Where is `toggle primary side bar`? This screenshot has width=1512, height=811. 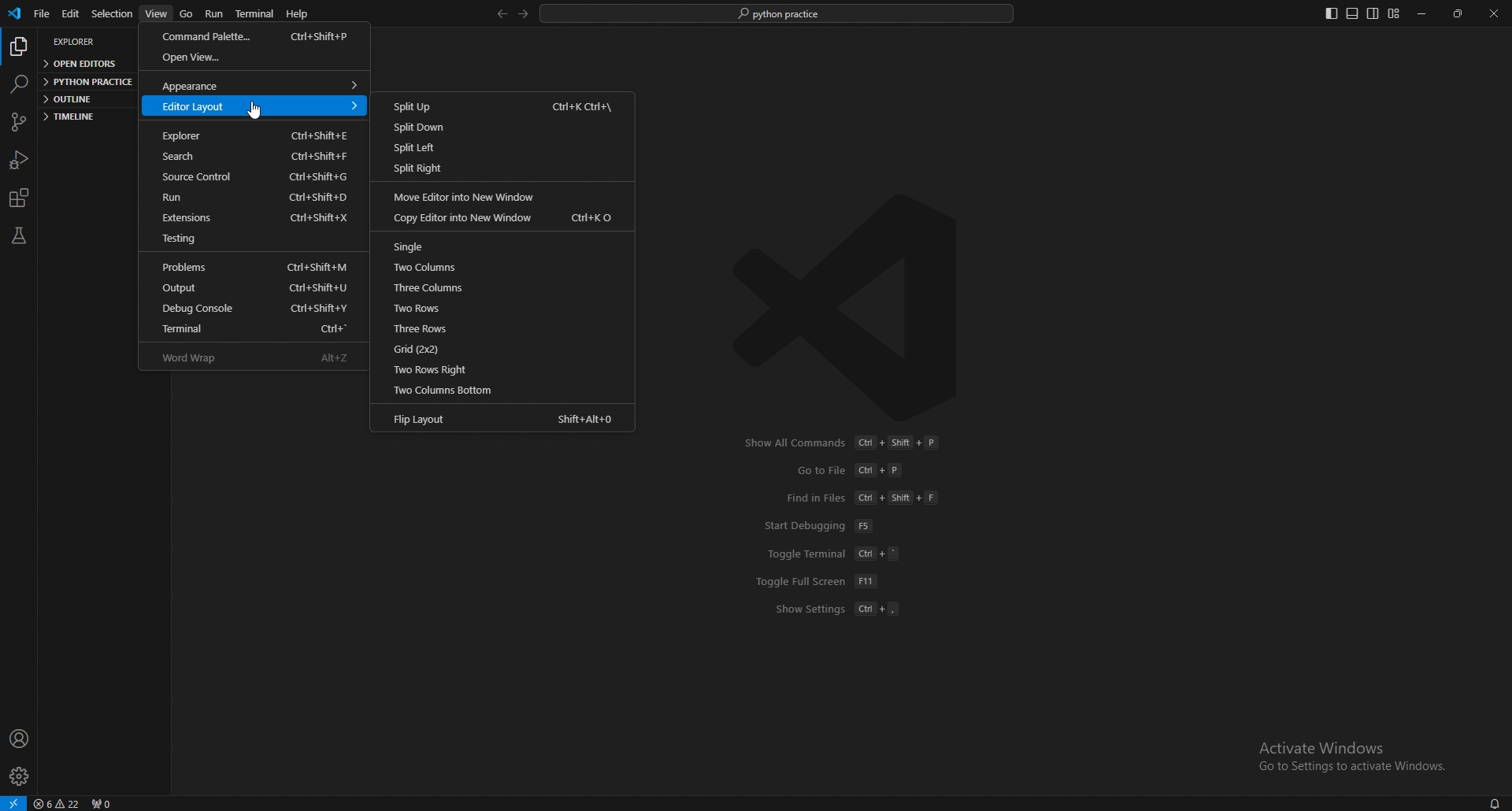 toggle primary side bar is located at coordinates (1330, 13).